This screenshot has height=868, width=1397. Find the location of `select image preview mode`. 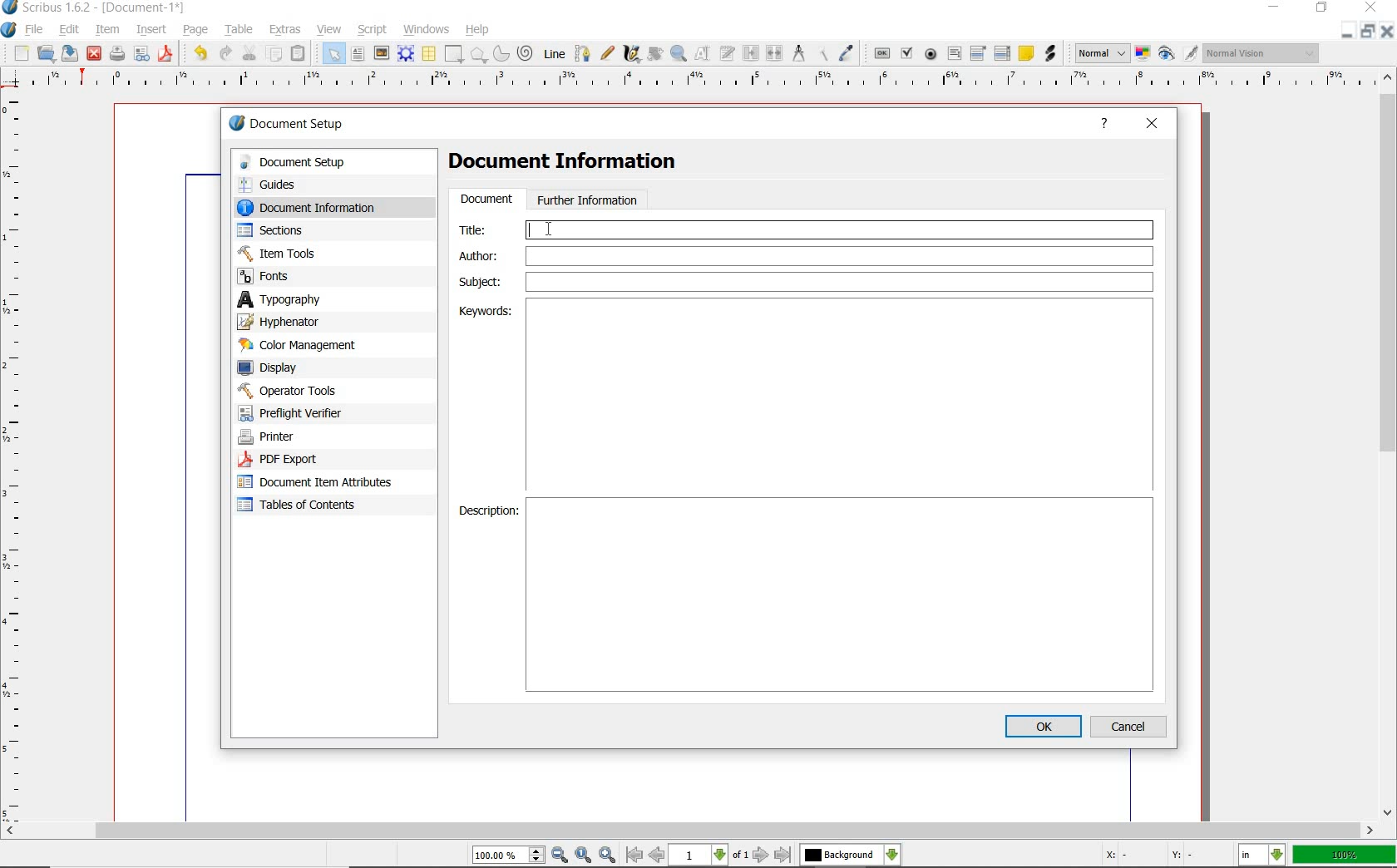

select image preview mode is located at coordinates (1102, 54).